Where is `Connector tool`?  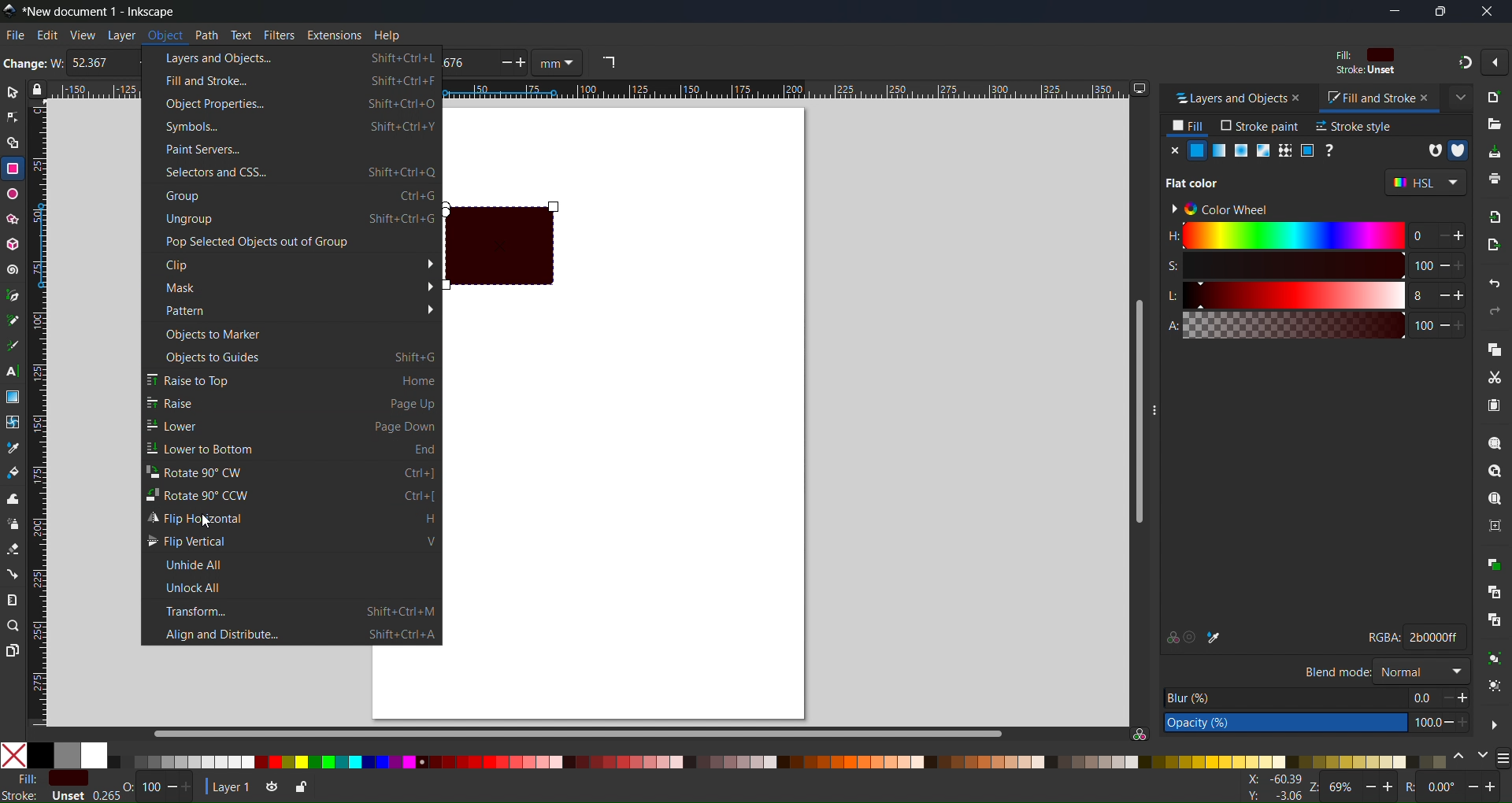
Connector tool is located at coordinates (13, 573).